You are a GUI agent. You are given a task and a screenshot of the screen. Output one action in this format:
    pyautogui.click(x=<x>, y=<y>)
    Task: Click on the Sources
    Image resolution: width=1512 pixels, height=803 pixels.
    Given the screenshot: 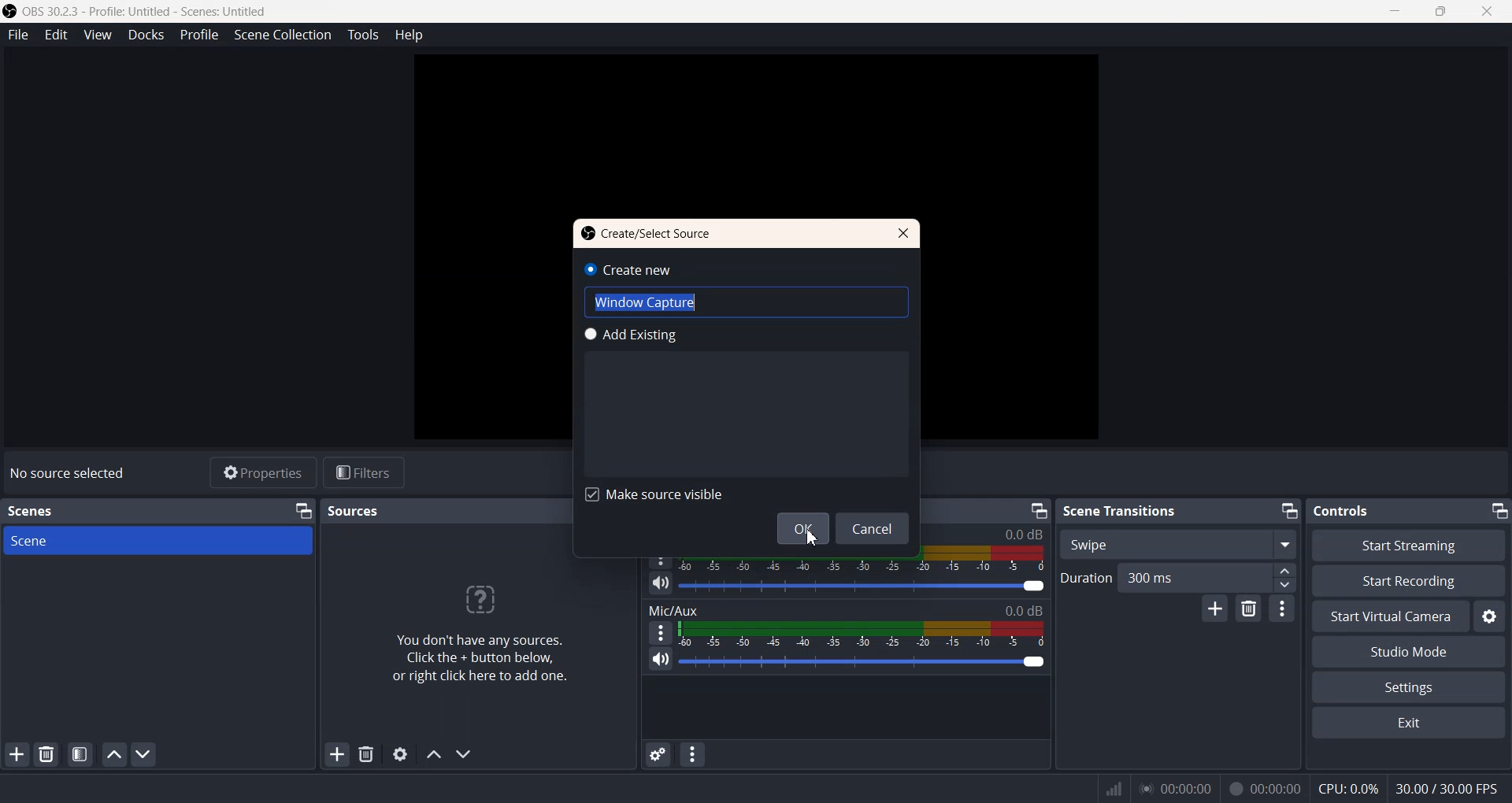 What is the action you would take?
    pyautogui.click(x=357, y=511)
    